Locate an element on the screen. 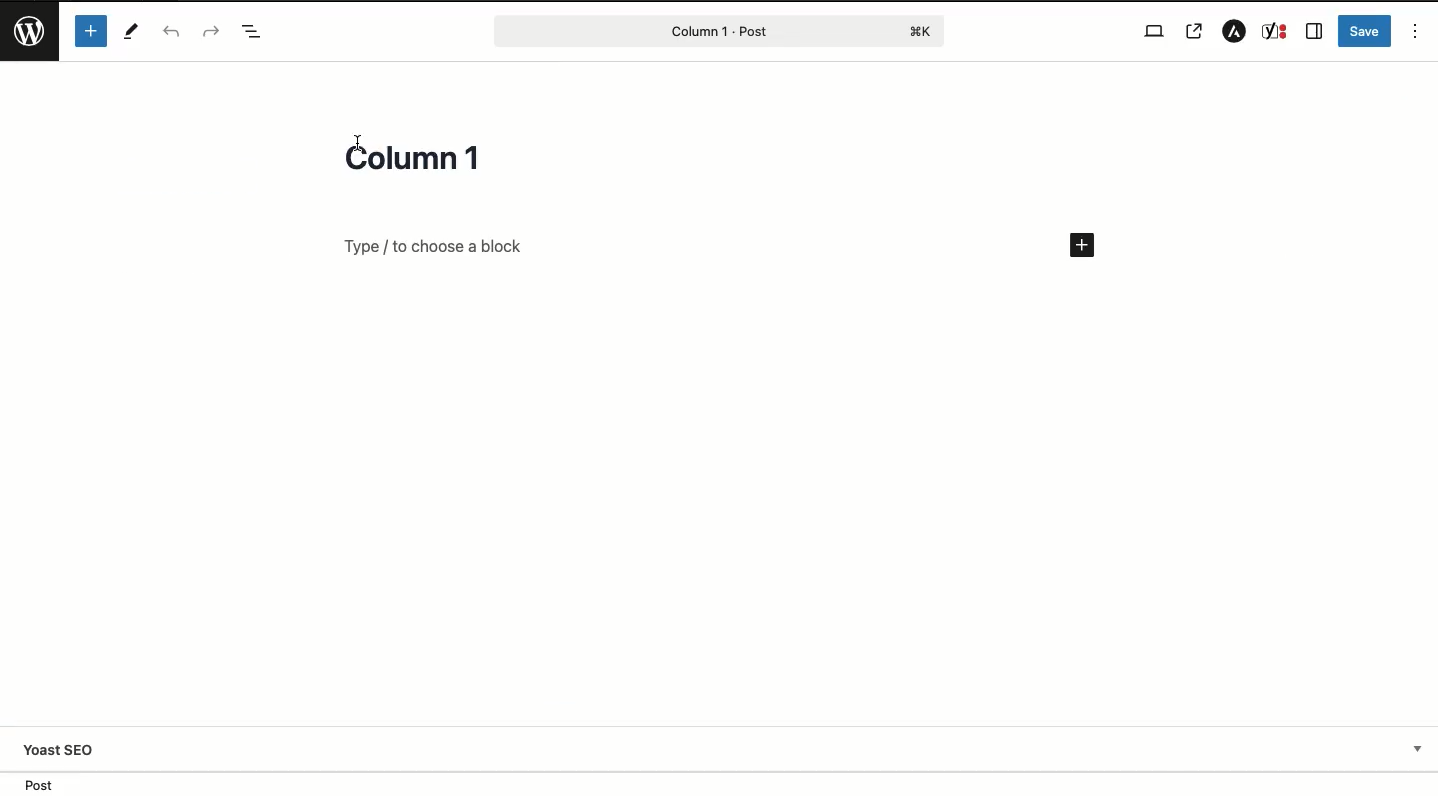 This screenshot has width=1438, height=796. Add new block is located at coordinates (1081, 246).